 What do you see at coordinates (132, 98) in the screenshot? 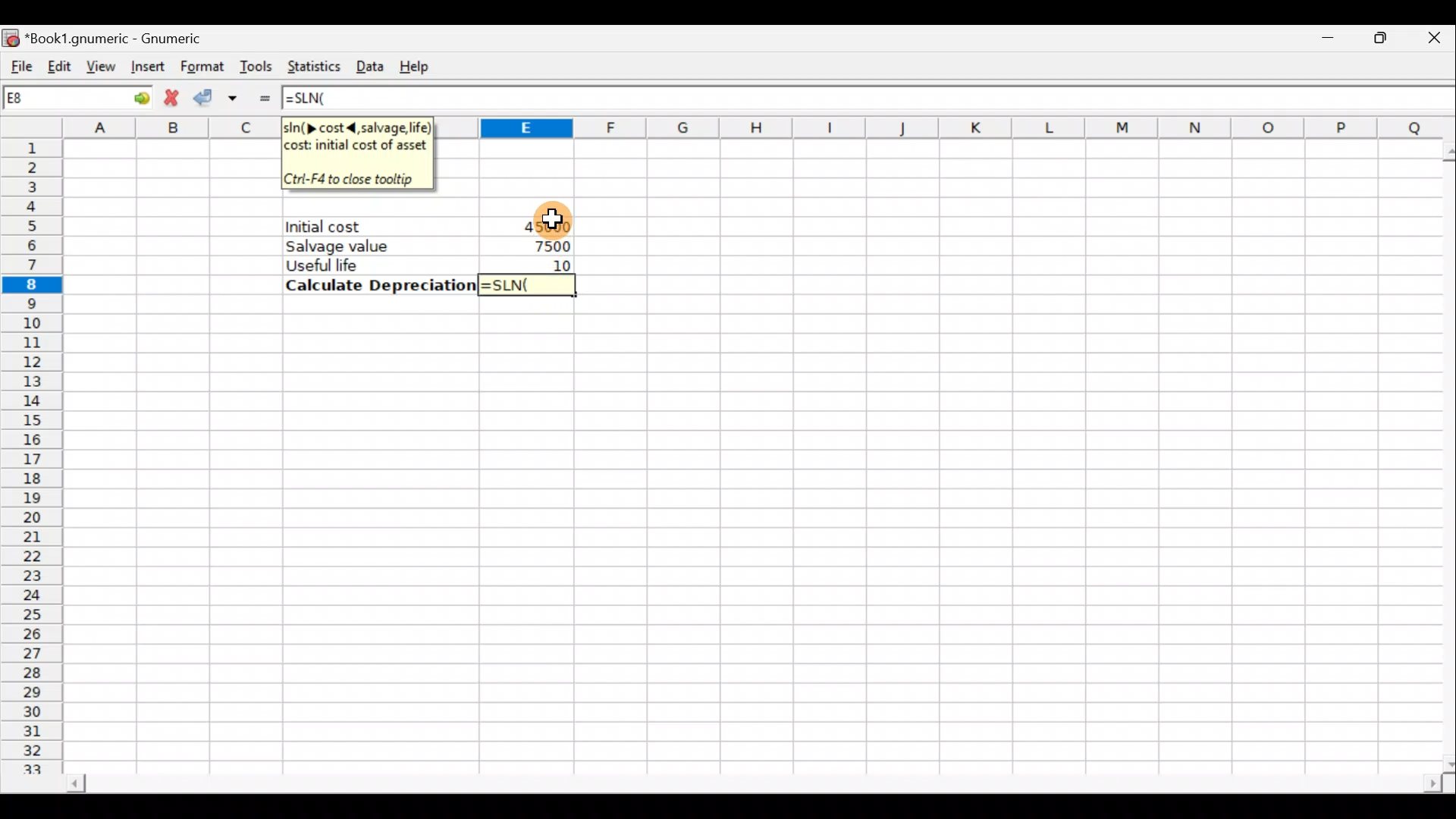
I see `go to` at bounding box center [132, 98].